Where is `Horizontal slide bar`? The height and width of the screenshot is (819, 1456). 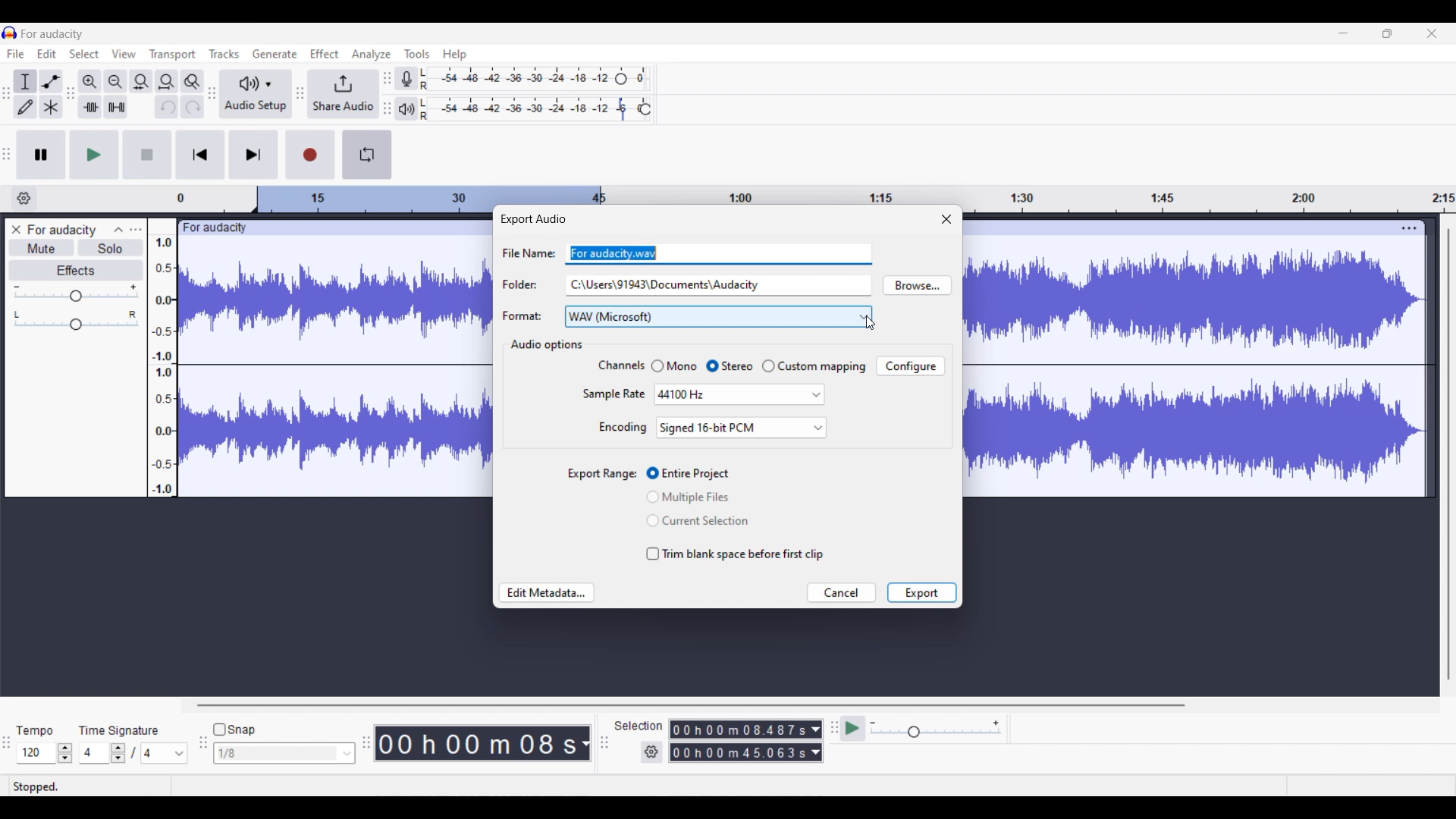 Horizontal slide bar is located at coordinates (690, 705).